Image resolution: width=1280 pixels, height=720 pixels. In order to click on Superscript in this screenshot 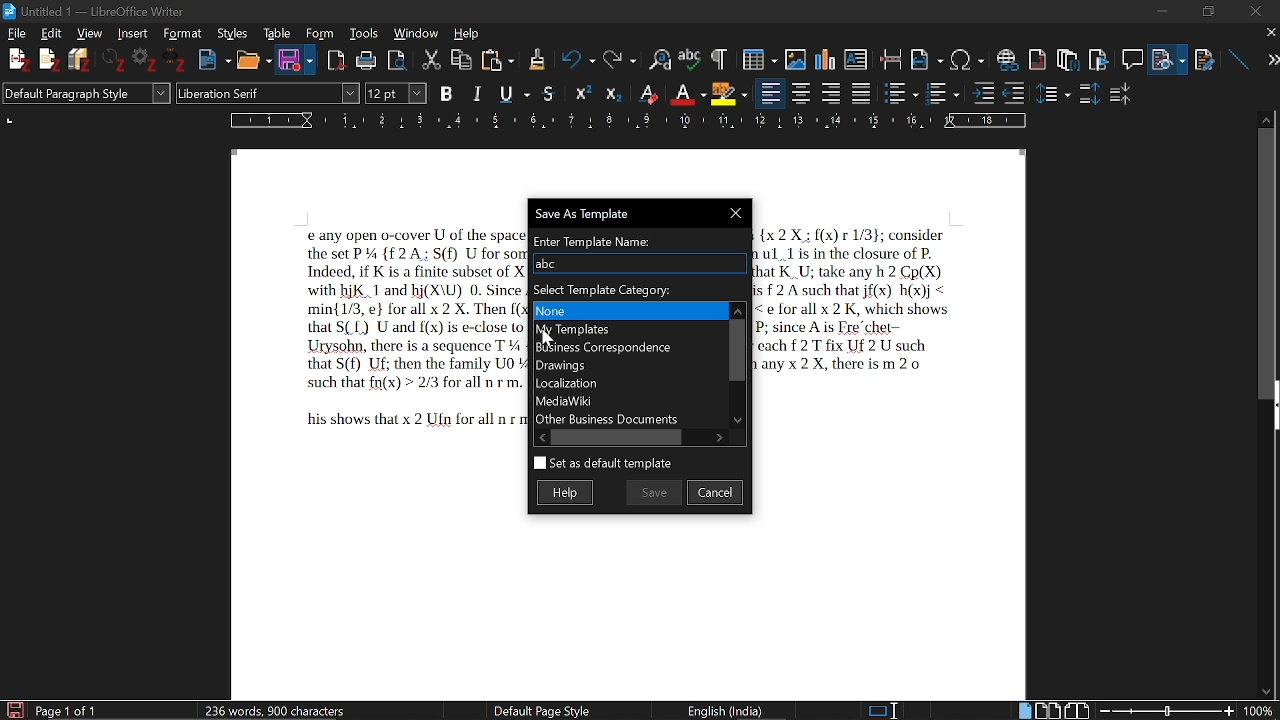, I will do `click(647, 93)`.